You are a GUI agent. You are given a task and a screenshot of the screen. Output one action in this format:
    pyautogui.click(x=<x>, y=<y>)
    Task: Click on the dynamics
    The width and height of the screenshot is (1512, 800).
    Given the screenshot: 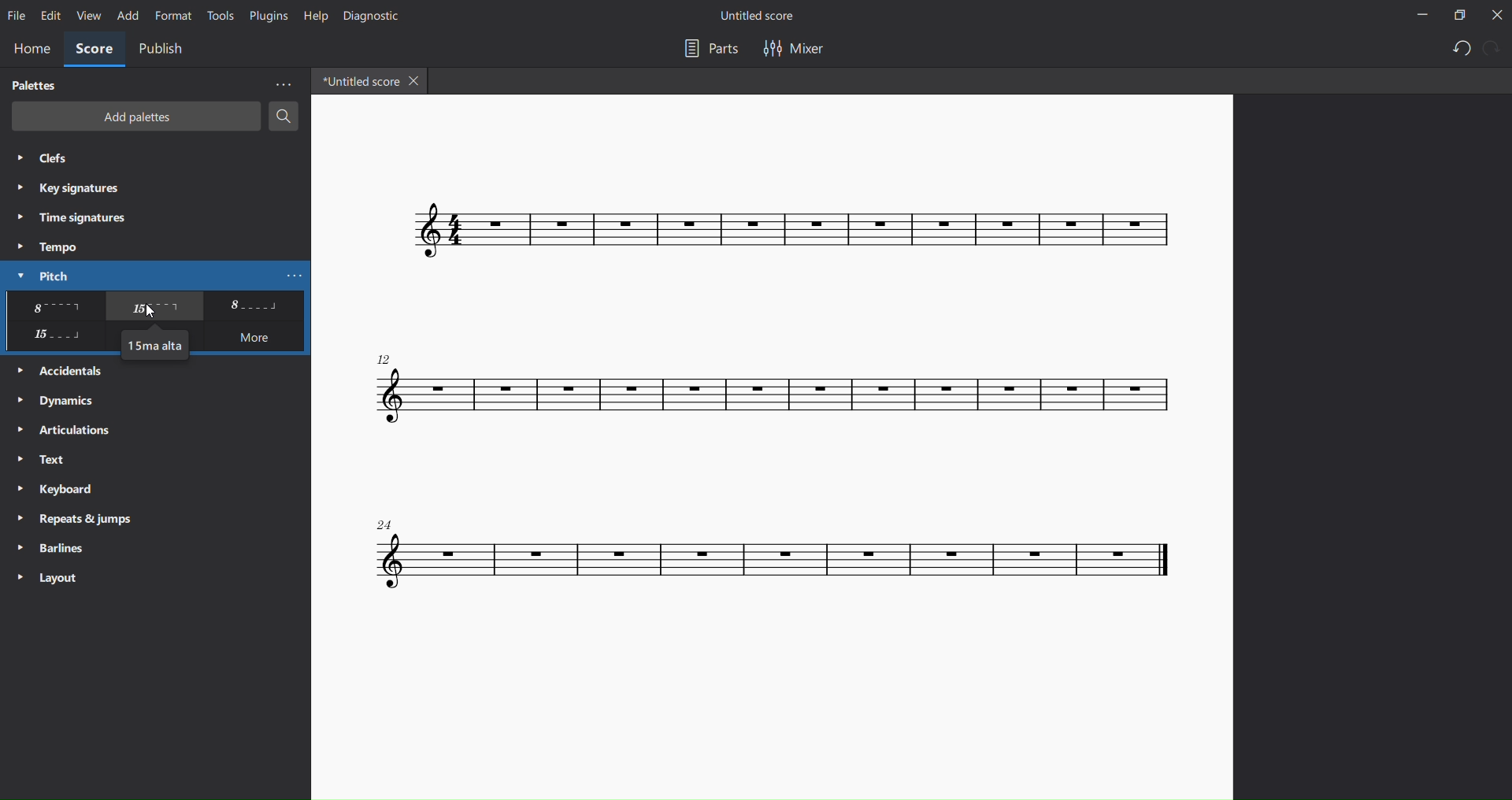 What is the action you would take?
    pyautogui.click(x=60, y=398)
    